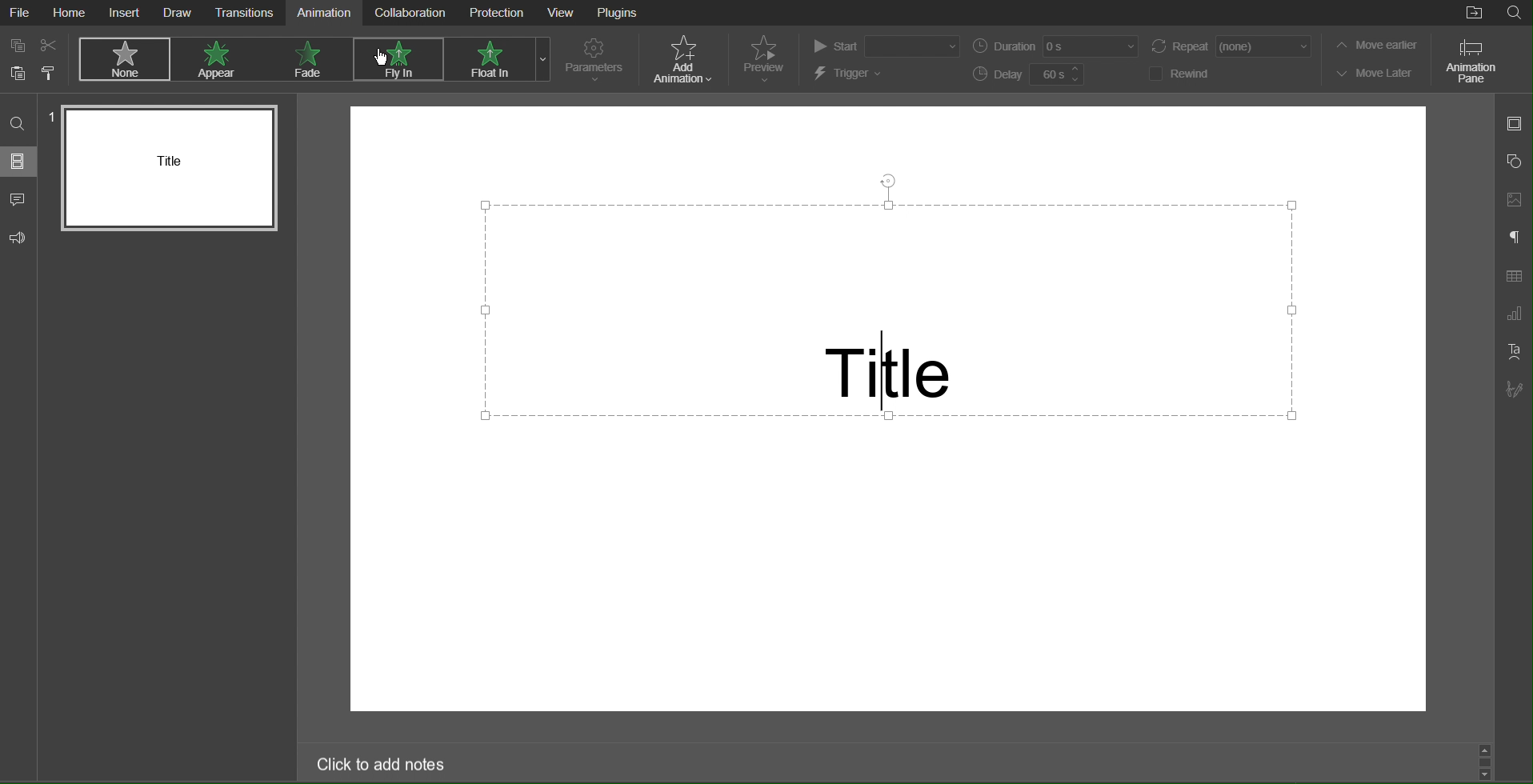 The height and width of the screenshot is (784, 1533). Describe the element at coordinates (19, 235) in the screenshot. I see `Feedback and Support` at that location.